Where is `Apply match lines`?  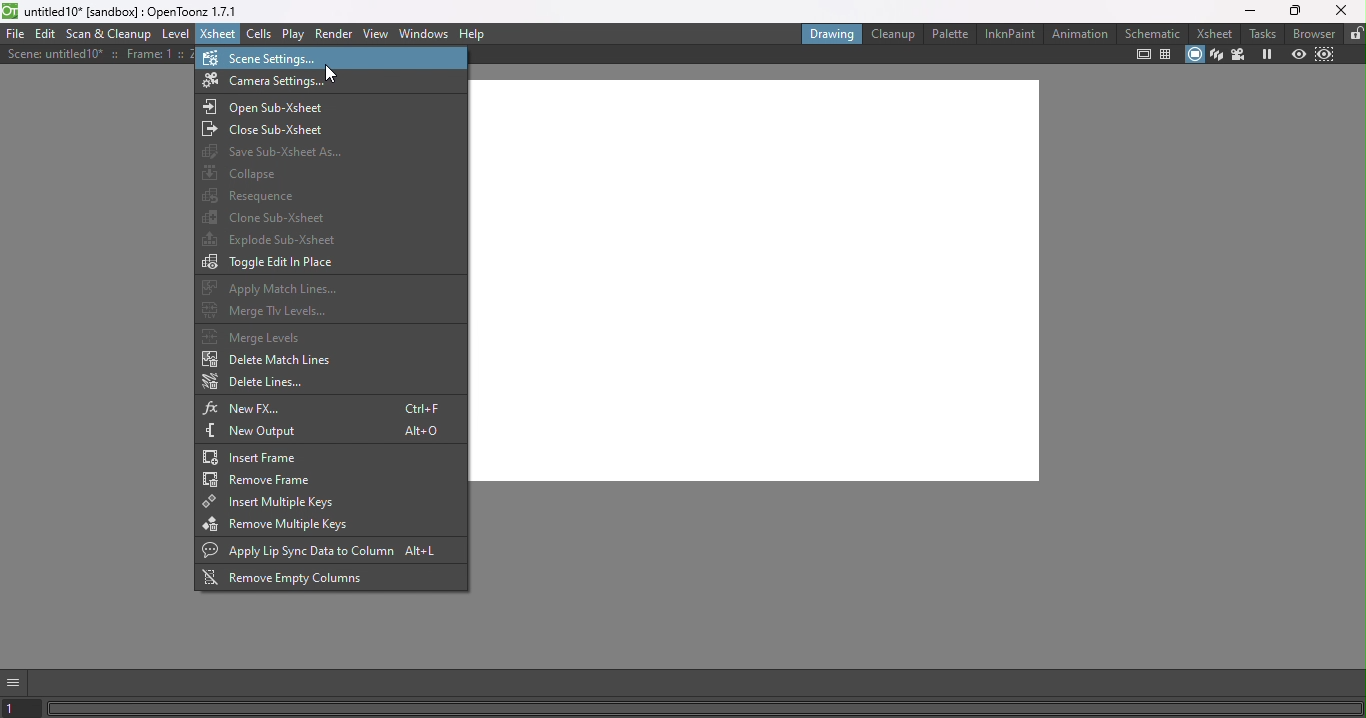
Apply match lines is located at coordinates (281, 288).